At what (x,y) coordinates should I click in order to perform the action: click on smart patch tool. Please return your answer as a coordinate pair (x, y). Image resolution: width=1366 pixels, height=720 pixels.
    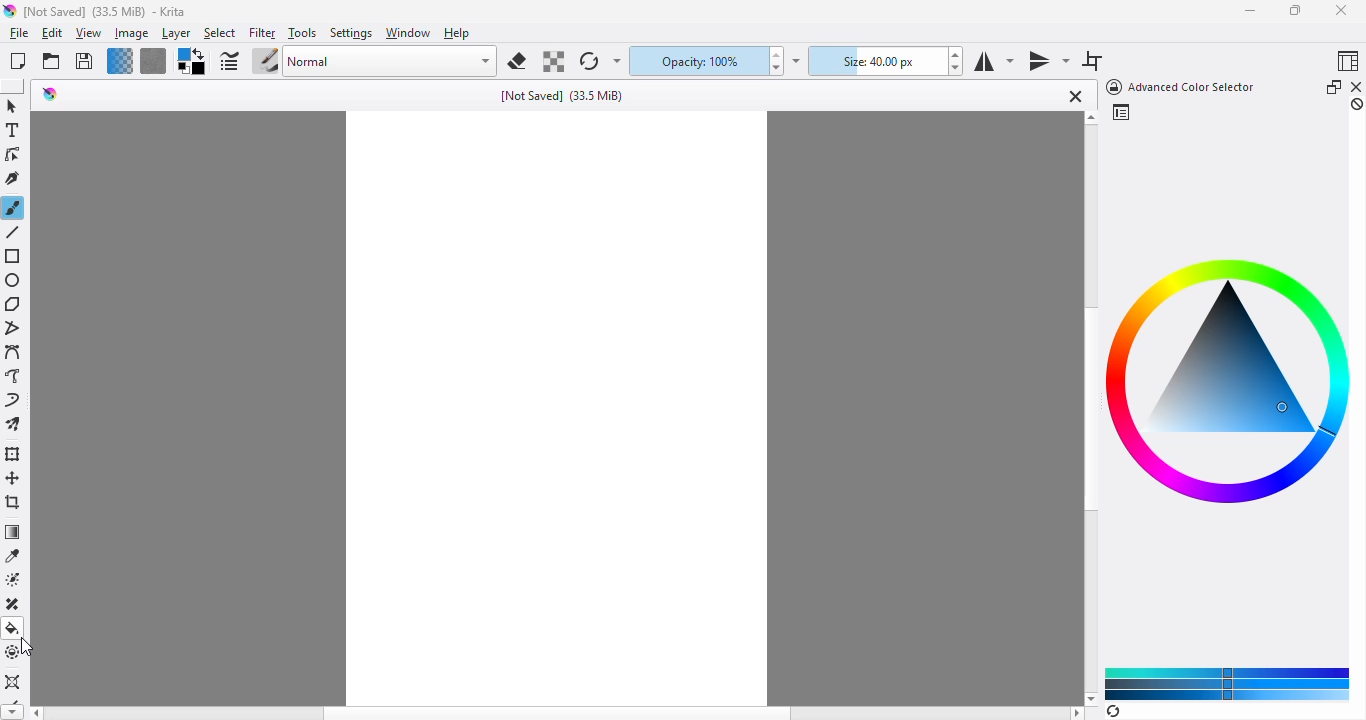
    Looking at the image, I should click on (15, 604).